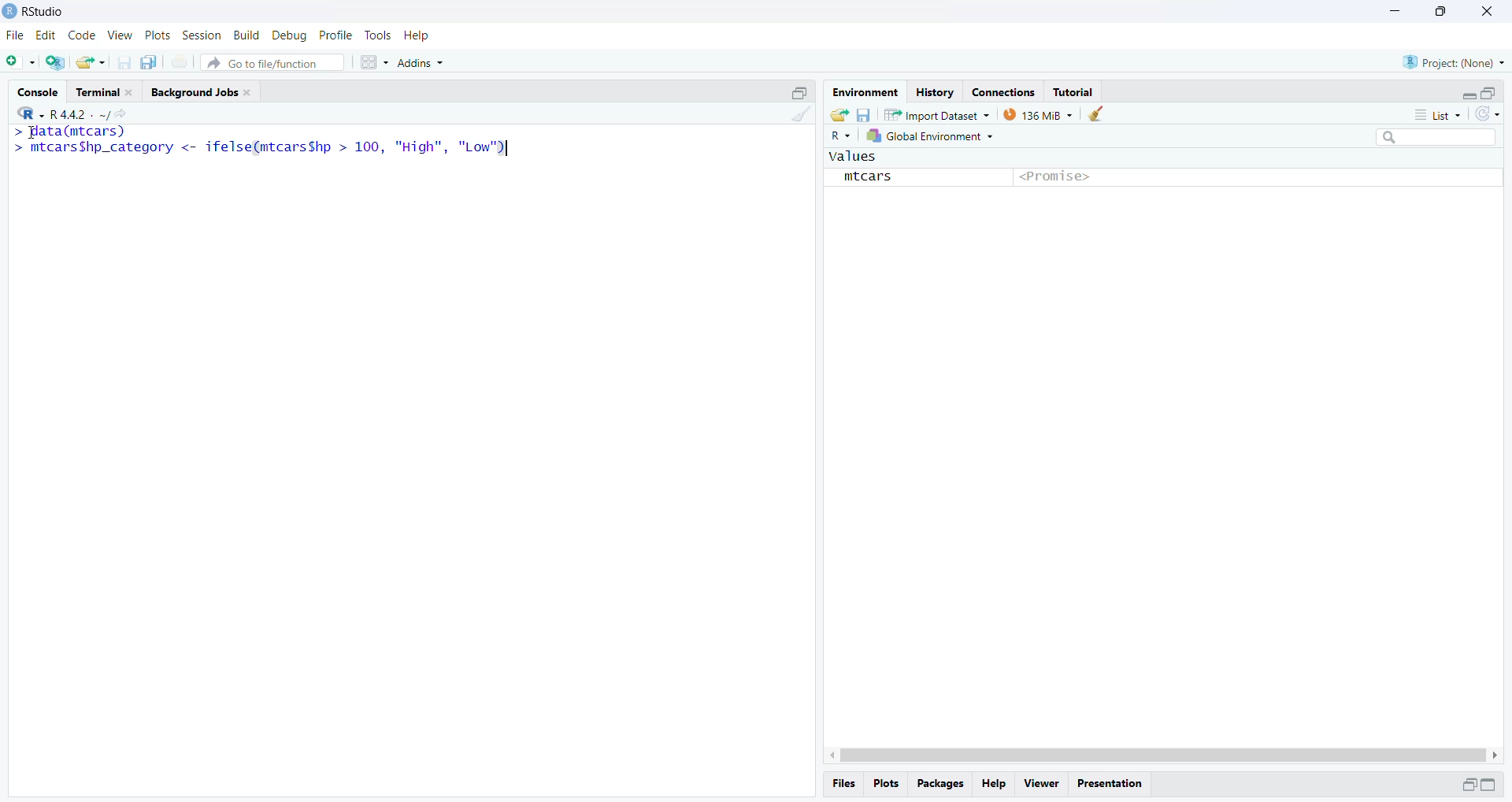 The width and height of the screenshot is (1512, 802). Describe the element at coordinates (889, 785) in the screenshot. I see `Plots` at that location.